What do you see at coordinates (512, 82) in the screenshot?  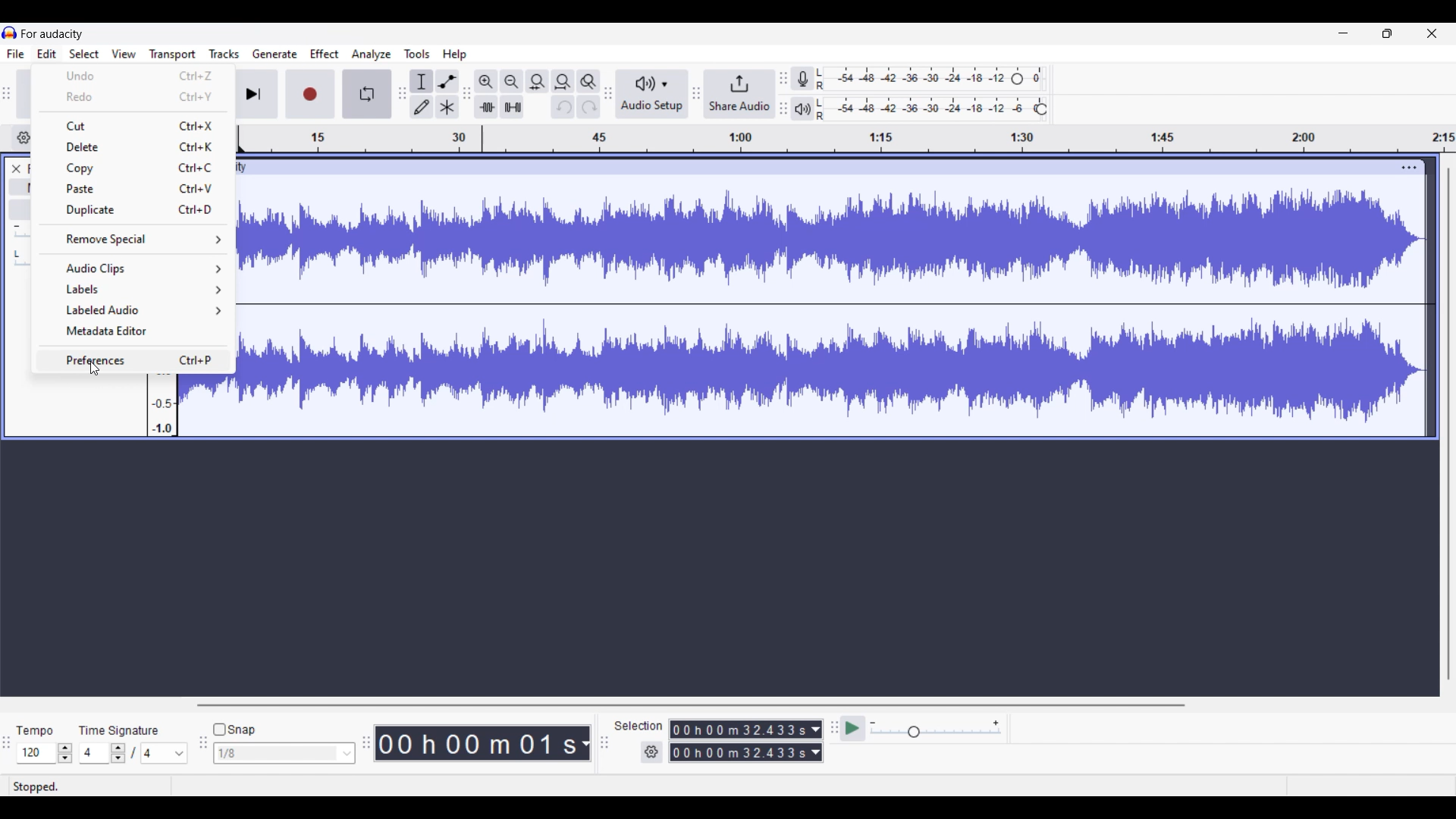 I see `Zoom out` at bounding box center [512, 82].